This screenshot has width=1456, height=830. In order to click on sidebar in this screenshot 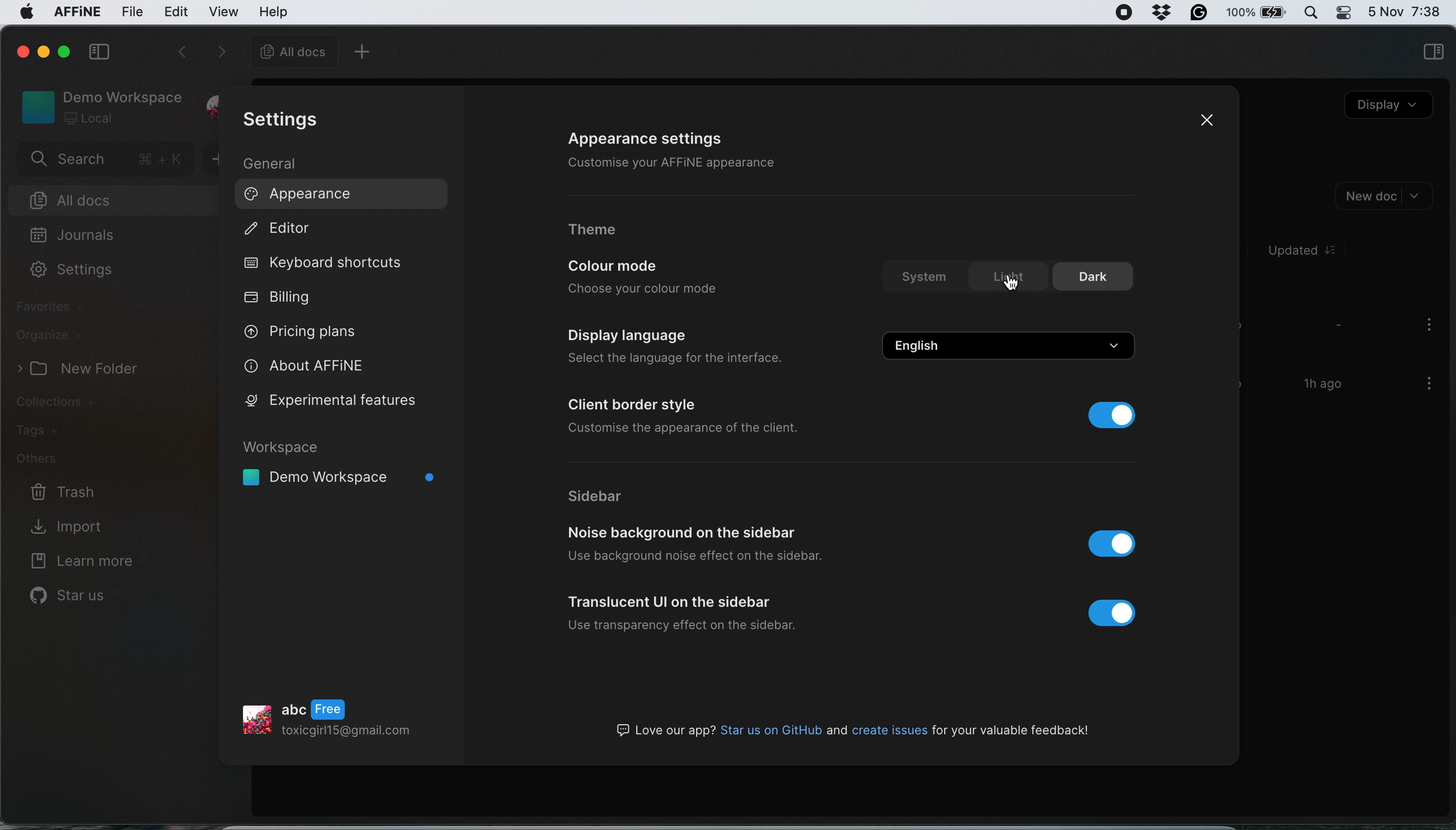, I will do `click(616, 498)`.